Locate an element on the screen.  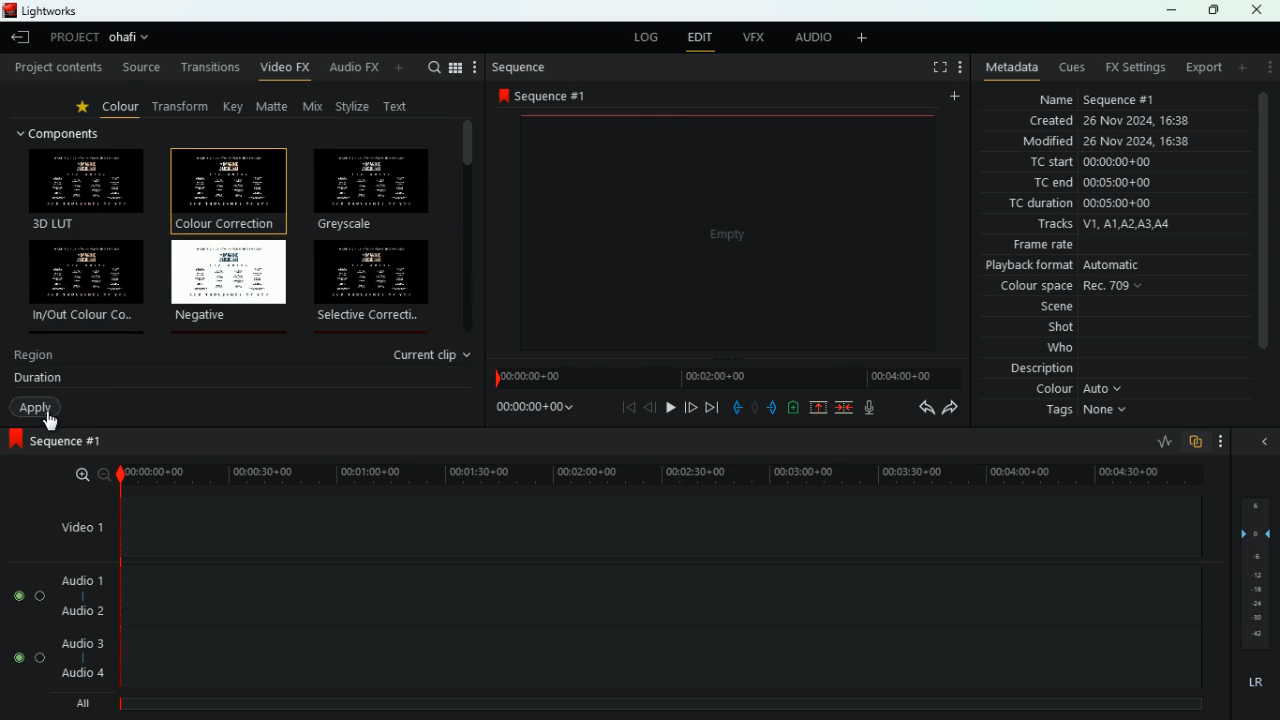
edit is located at coordinates (701, 38).